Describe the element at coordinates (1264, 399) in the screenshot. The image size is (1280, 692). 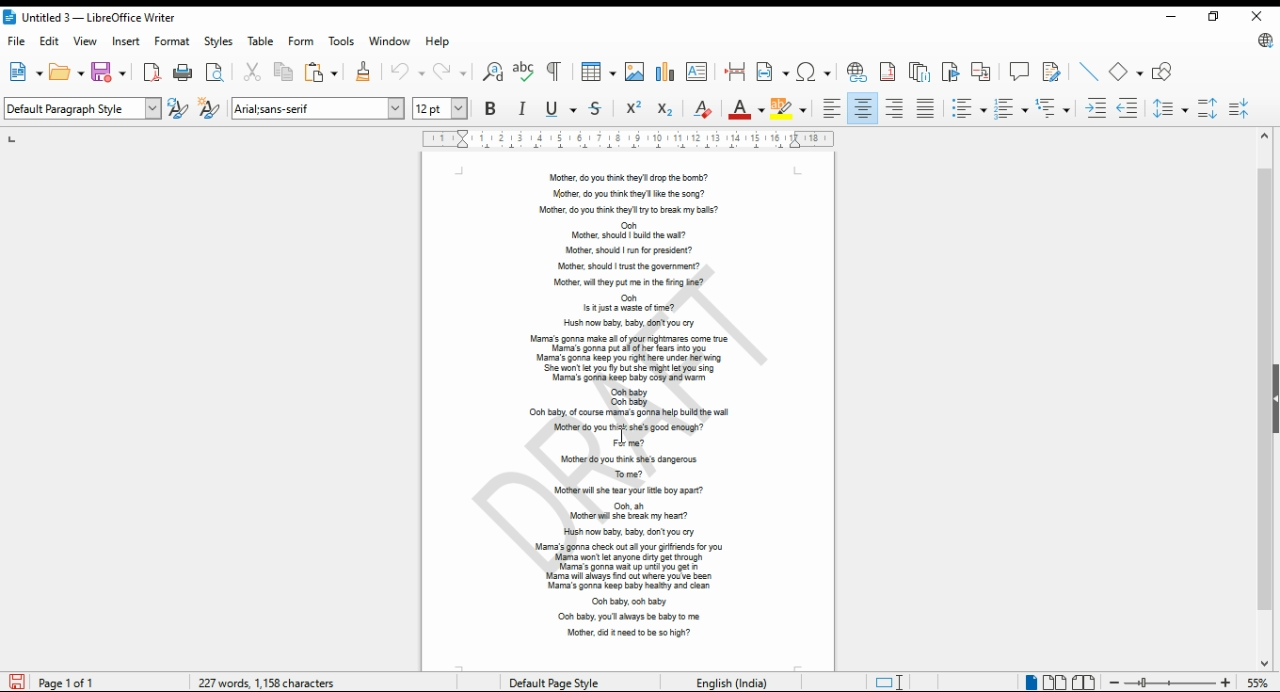
I see `scroll bar` at that location.